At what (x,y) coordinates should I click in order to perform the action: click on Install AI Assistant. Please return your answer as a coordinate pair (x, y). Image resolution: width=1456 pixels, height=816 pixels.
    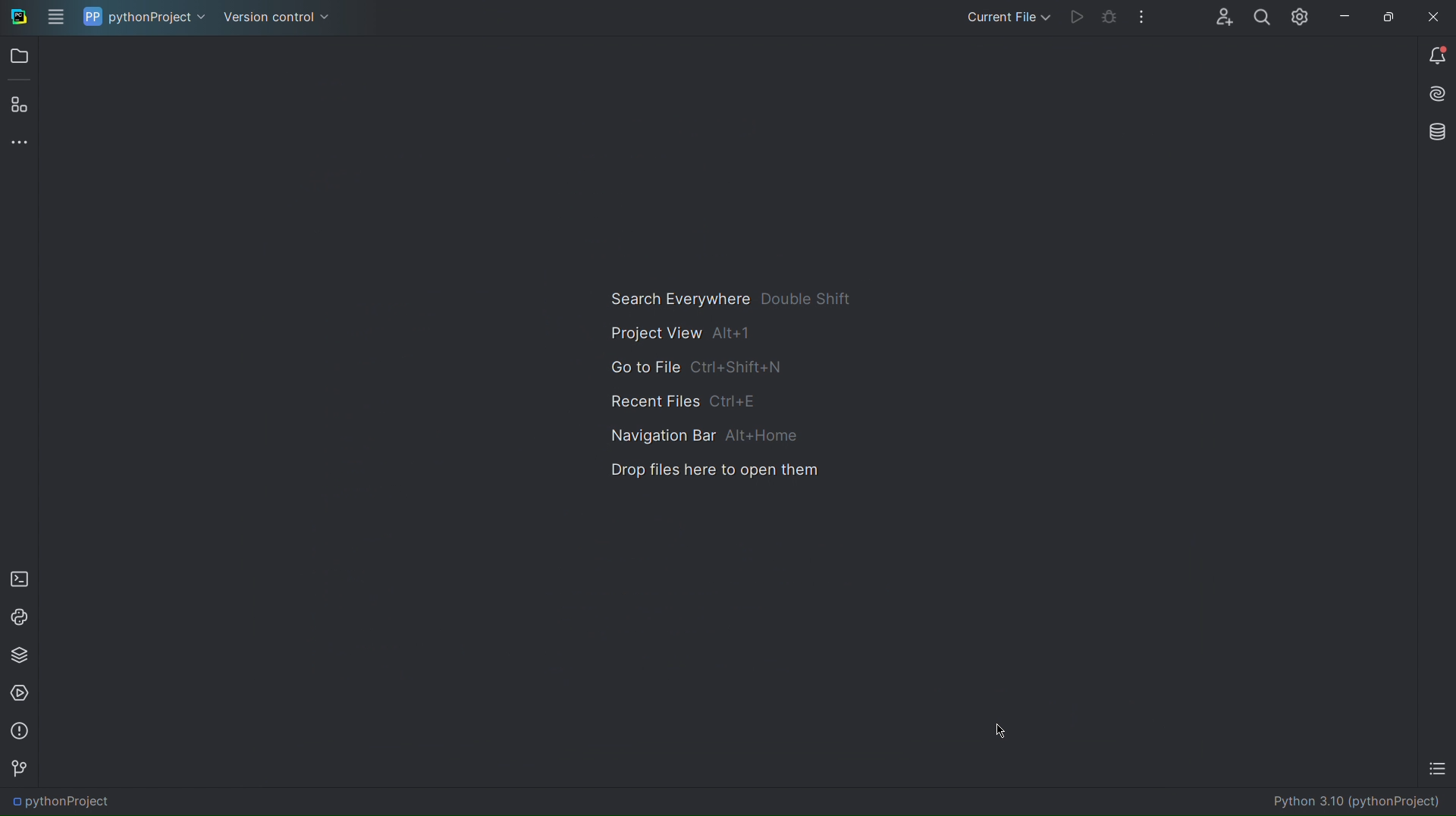
    Looking at the image, I should click on (1435, 96).